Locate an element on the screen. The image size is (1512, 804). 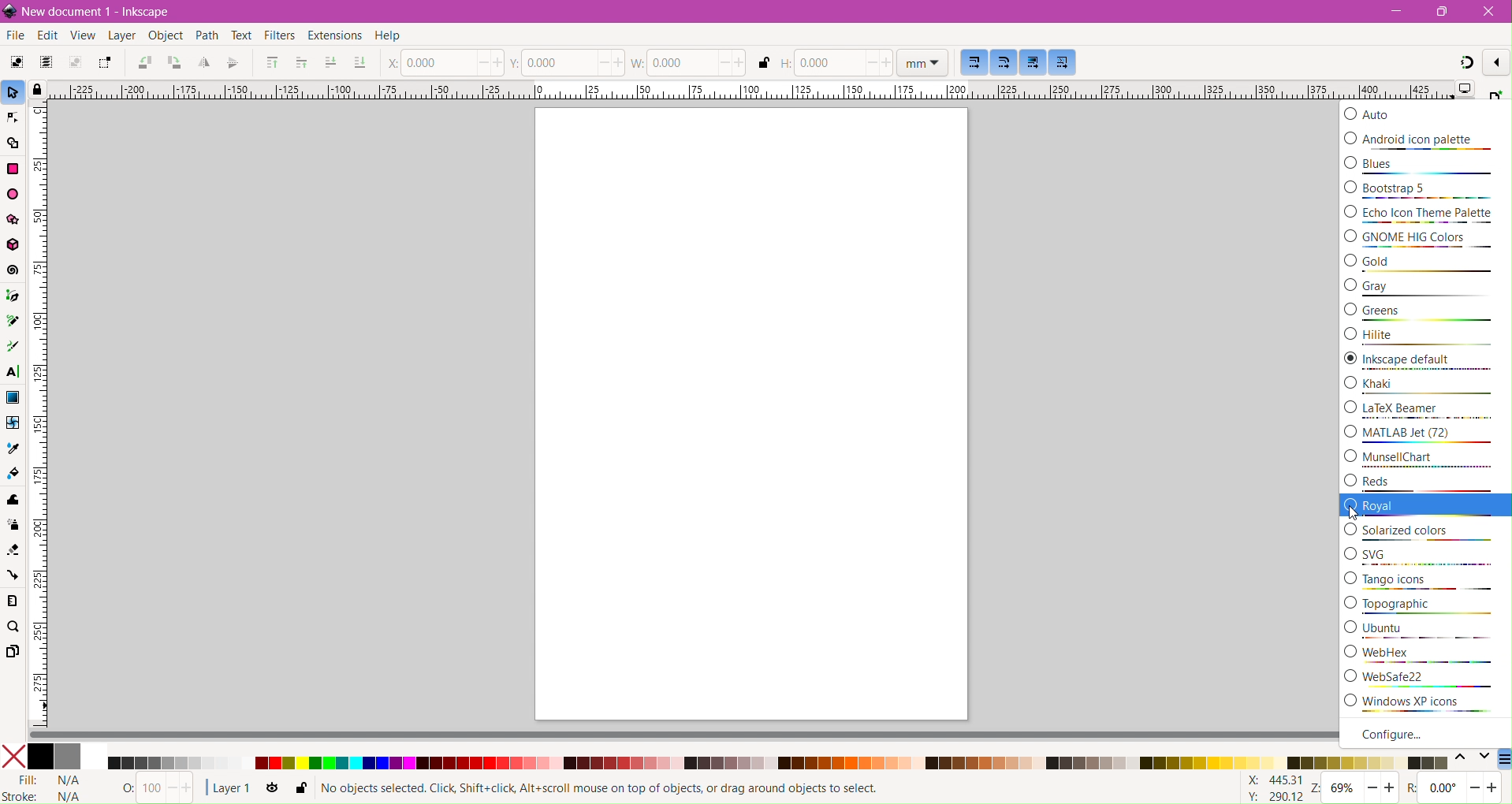
Spray Tool is located at coordinates (13, 525).